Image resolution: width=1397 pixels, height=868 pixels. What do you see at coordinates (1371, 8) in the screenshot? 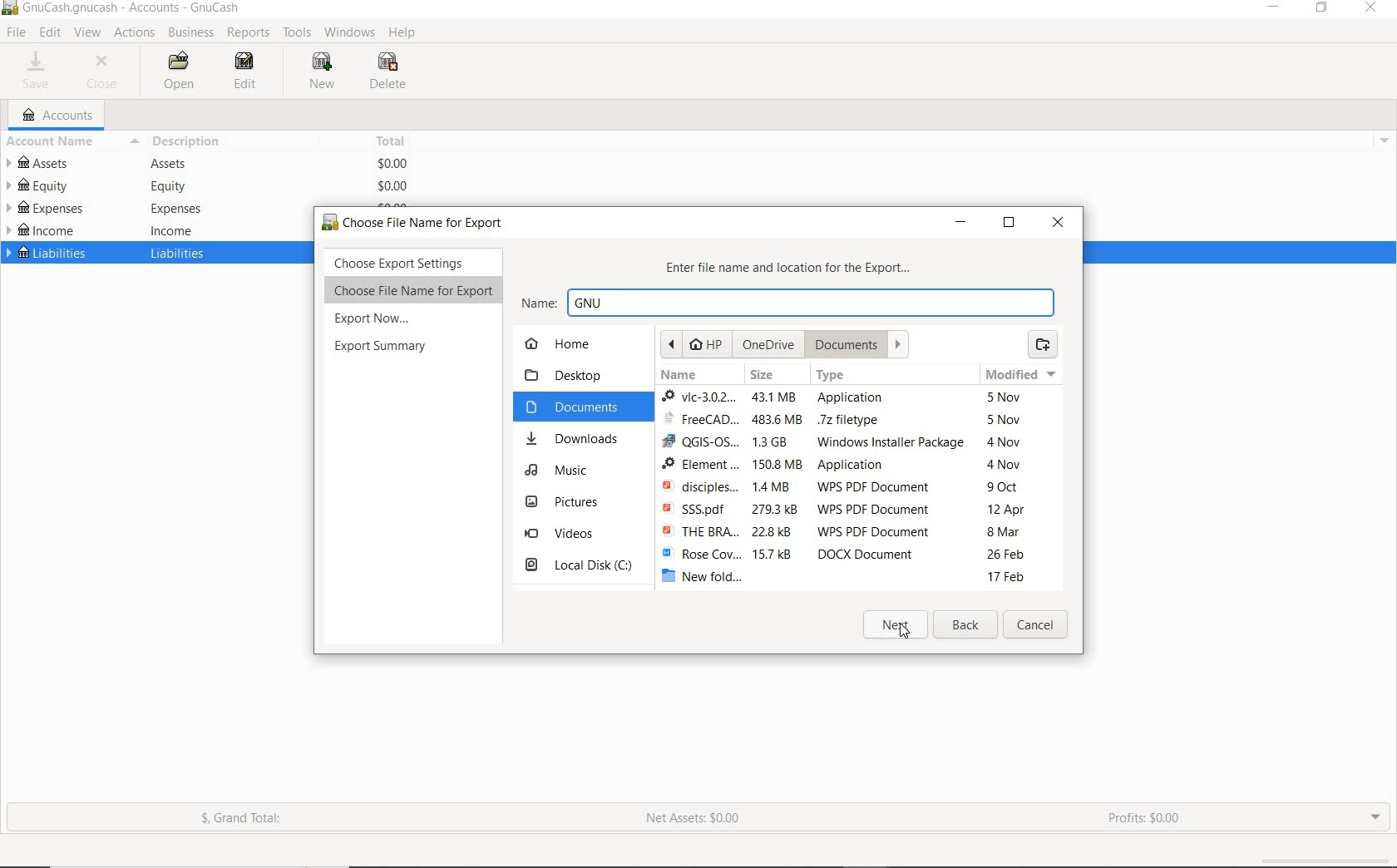
I see `CLOSE` at bounding box center [1371, 8].